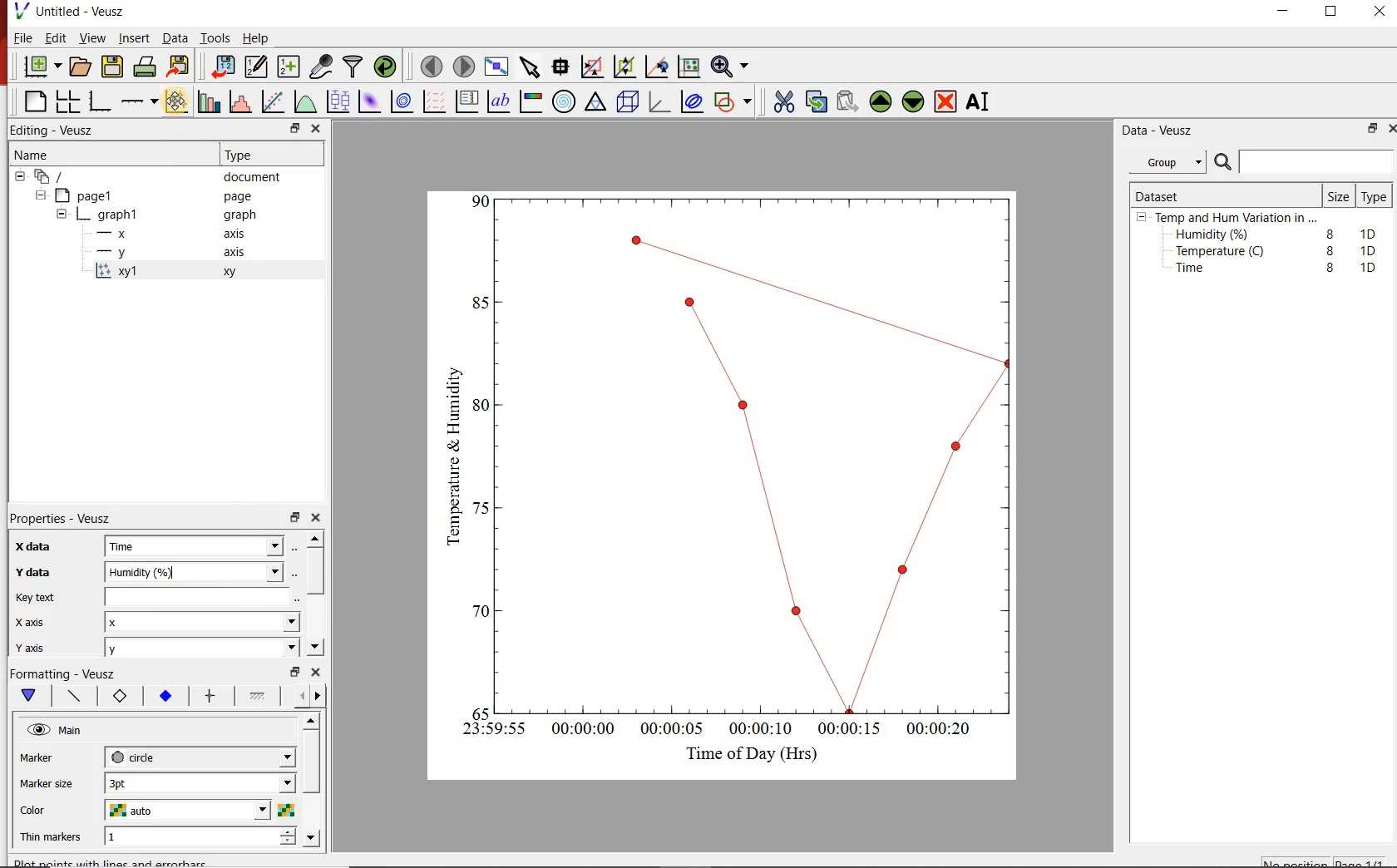 Image resolution: width=1397 pixels, height=868 pixels. What do you see at coordinates (241, 197) in the screenshot?
I see `page` at bounding box center [241, 197].